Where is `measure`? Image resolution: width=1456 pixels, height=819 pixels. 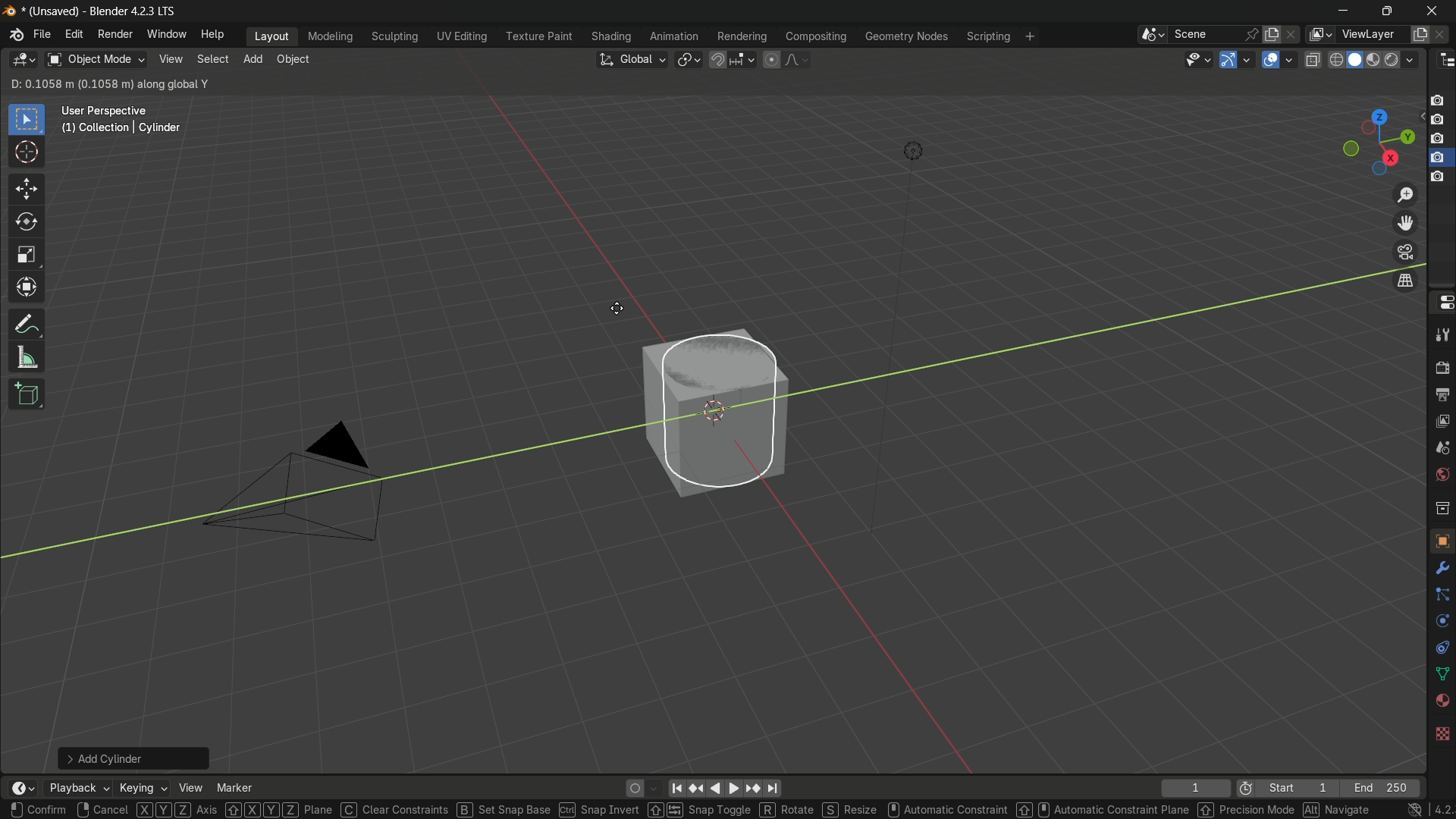
measure is located at coordinates (27, 358).